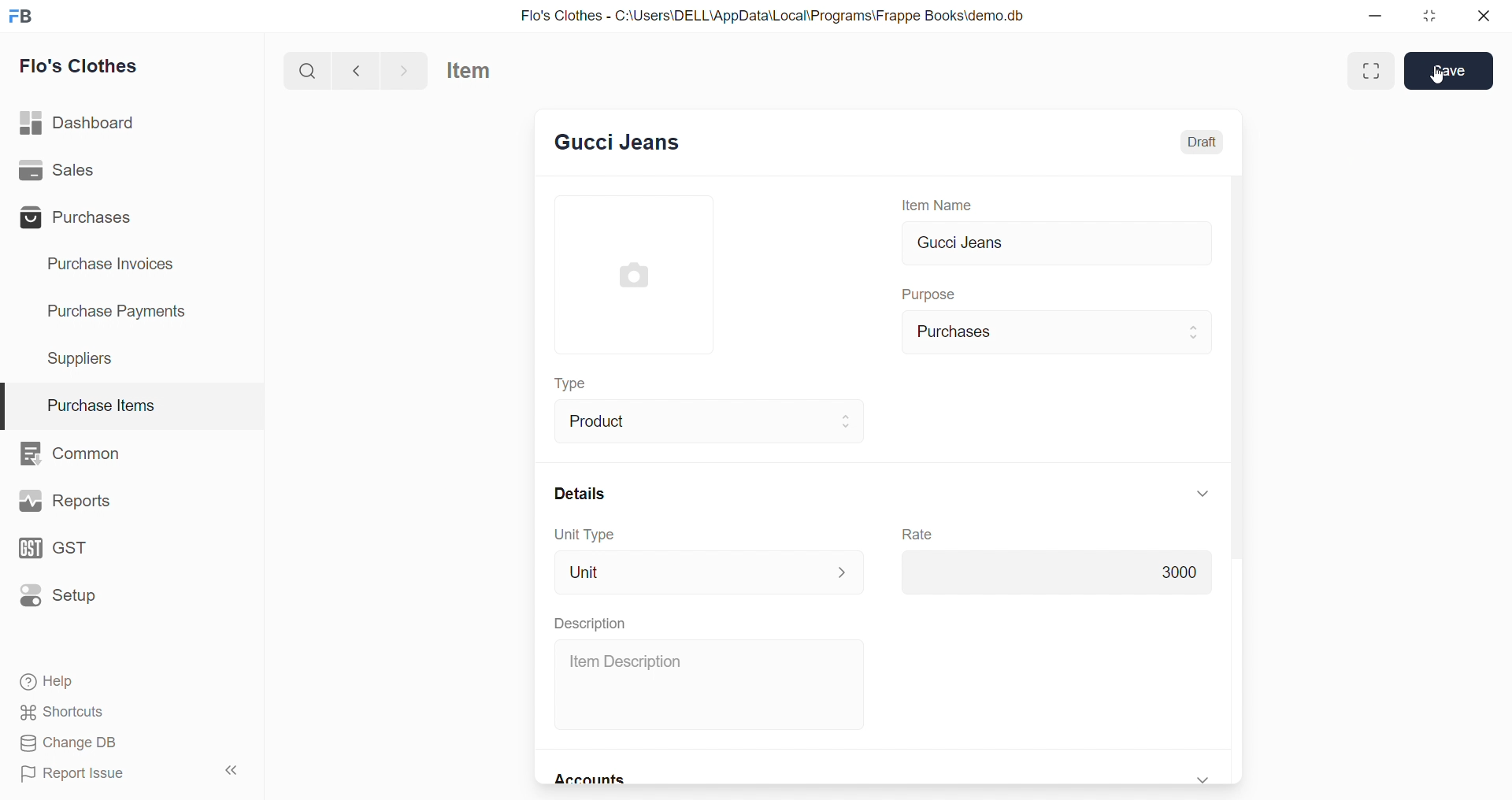 The height and width of the screenshot is (800, 1512). What do you see at coordinates (121, 265) in the screenshot?
I see `Purchase Invoices` at bounding box center [121, 265].